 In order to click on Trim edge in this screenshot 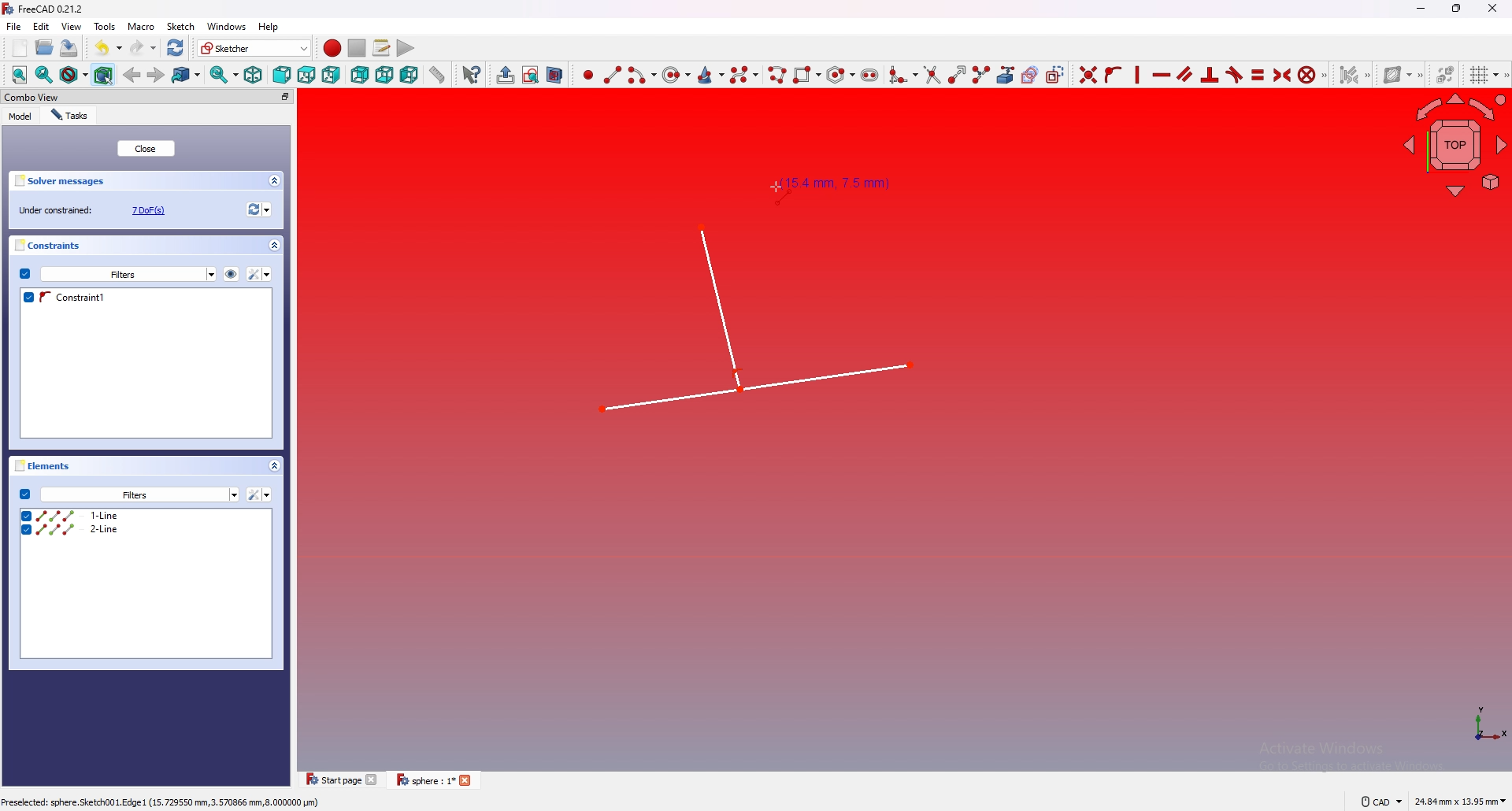, I will do `click(931, 75)`.